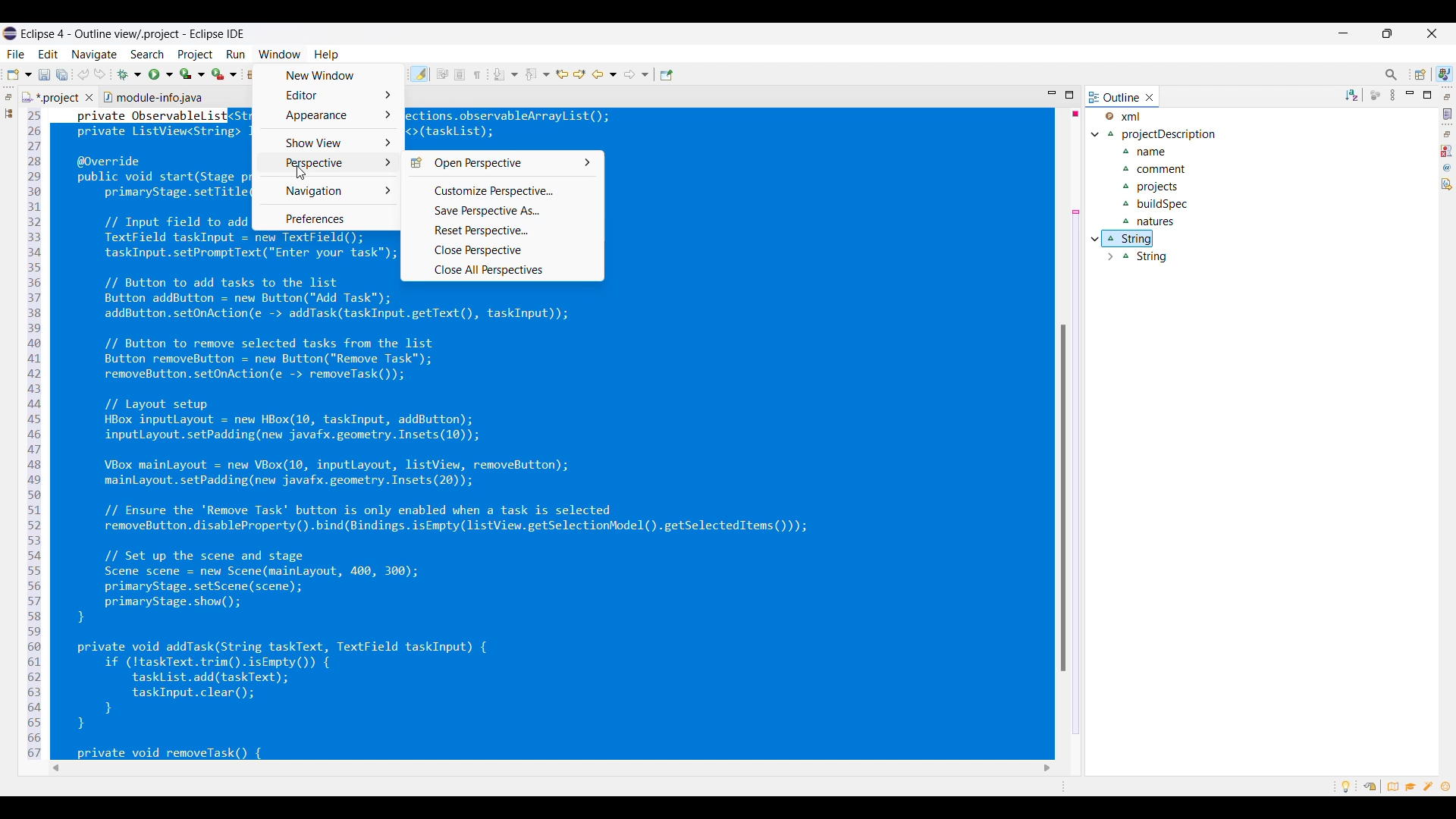 This screenshot has height=819, width=1456. Describe the element at coordinates (330, 163) in the screenshot. I see `Perspective options` at that location.